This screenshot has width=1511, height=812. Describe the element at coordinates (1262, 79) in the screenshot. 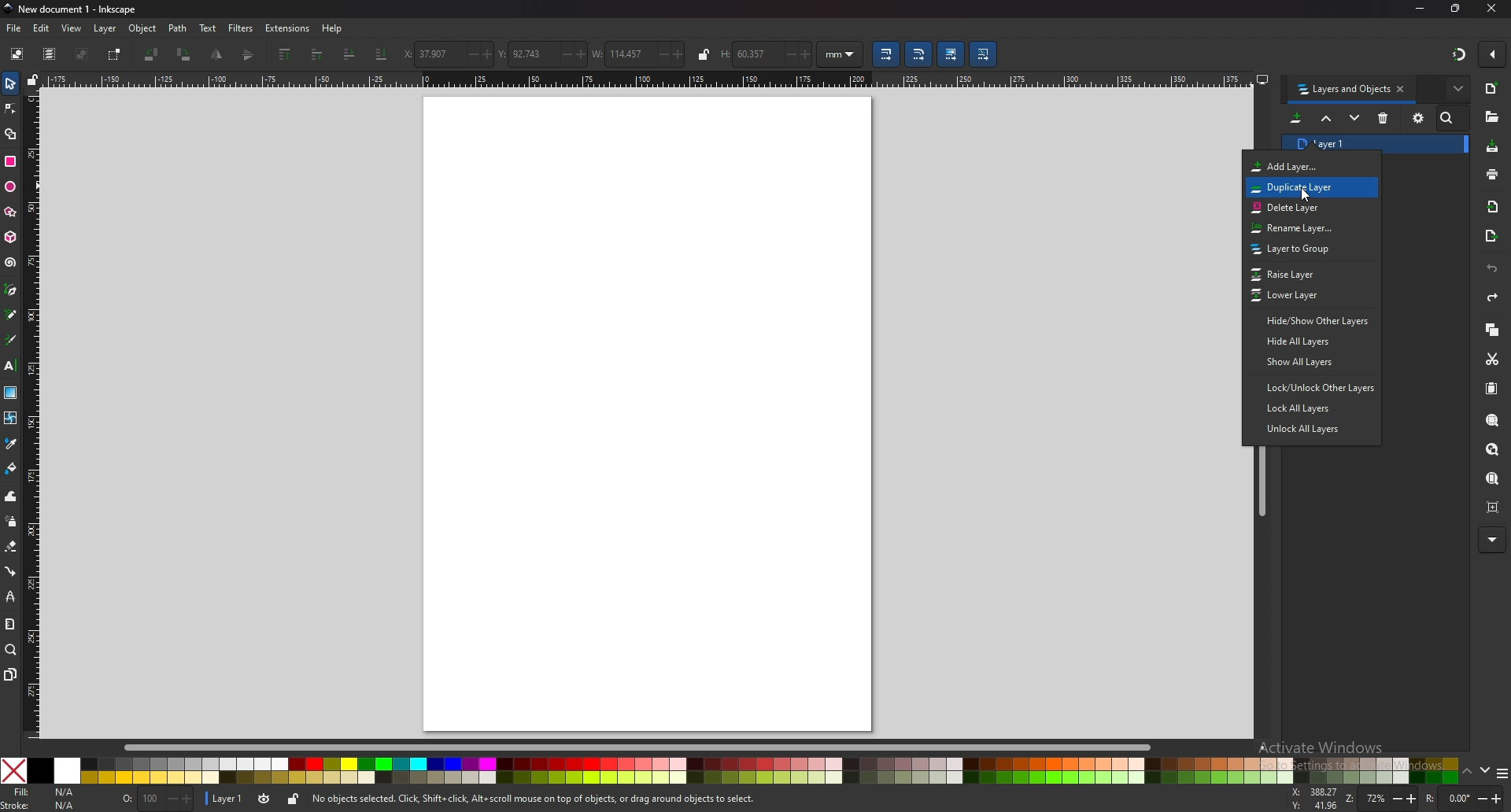

I see `display view` at that location.